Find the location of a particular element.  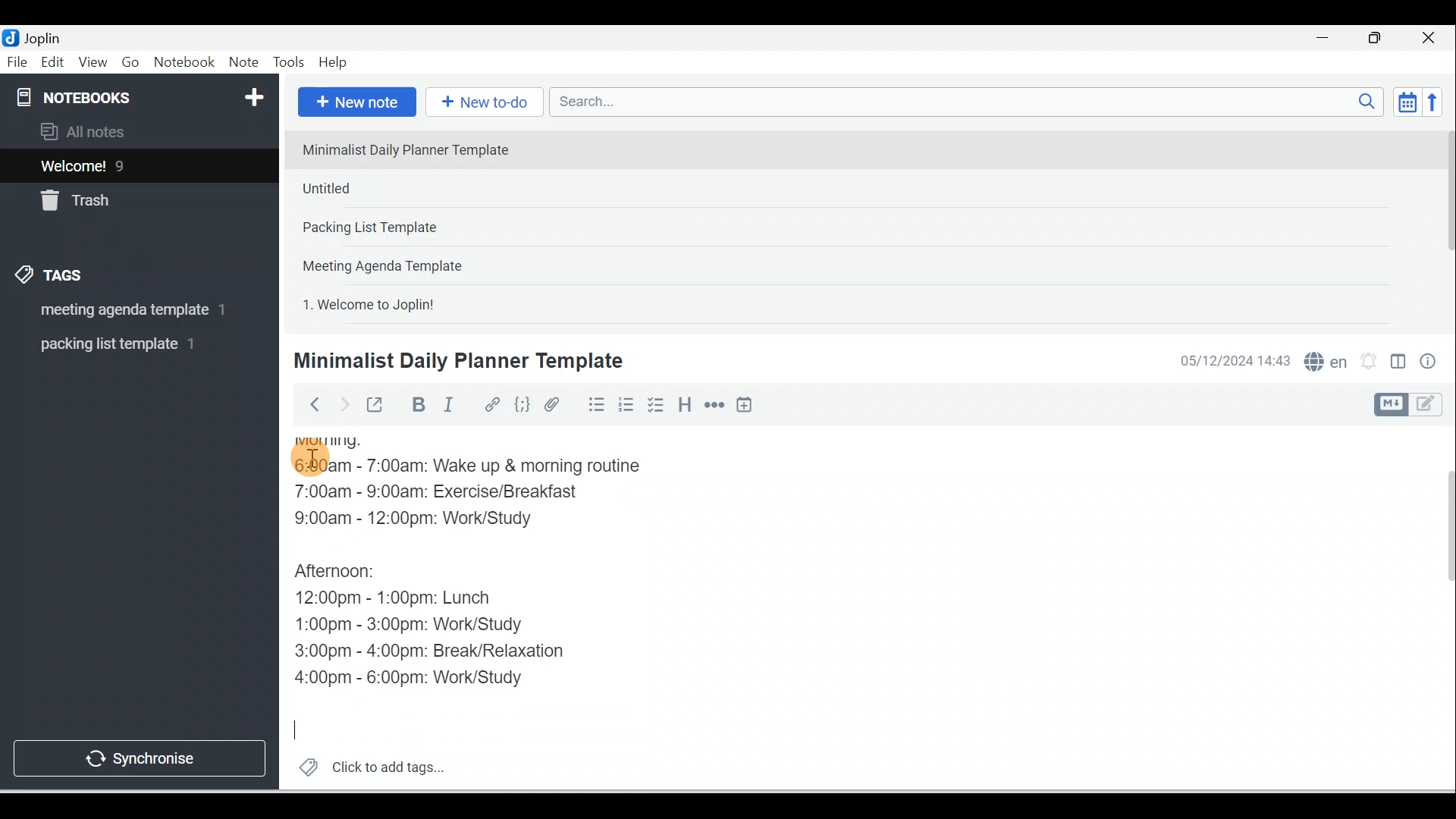

Search bar is located at coordinates (971, 102).